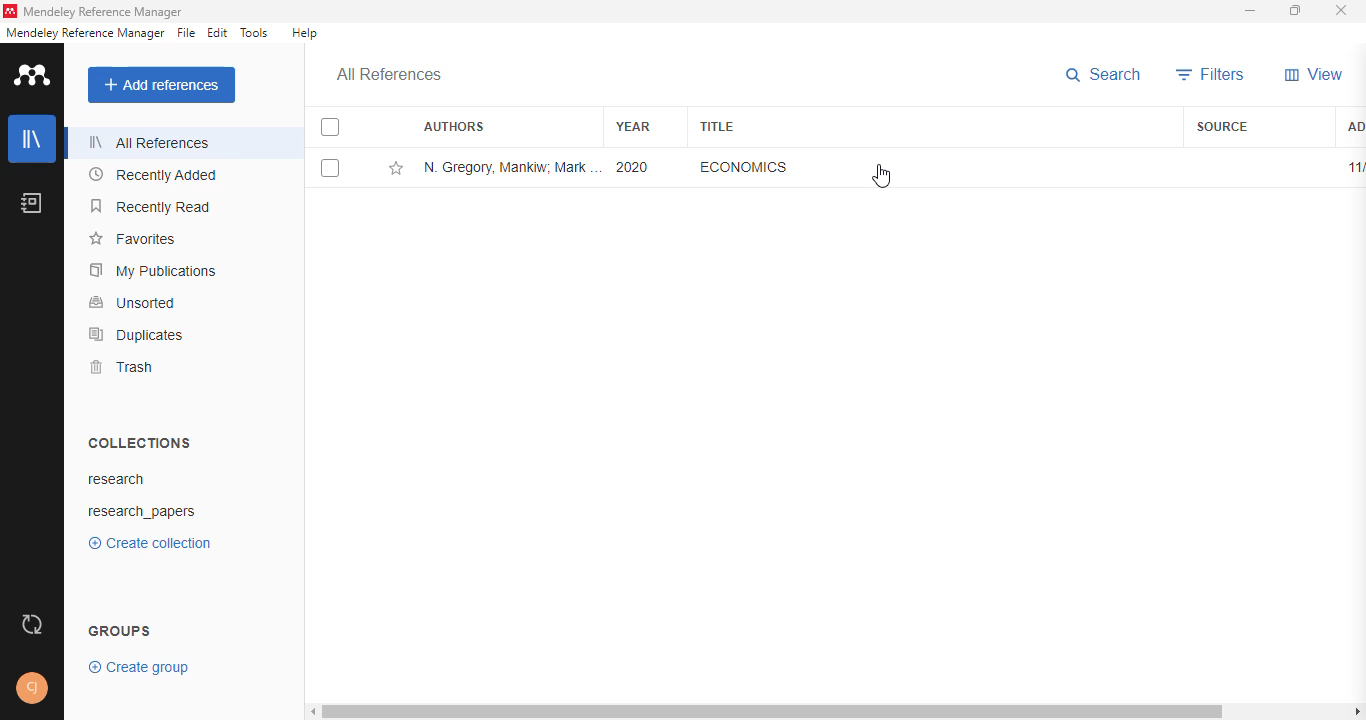  I want to click on collections, so click(140, 444).